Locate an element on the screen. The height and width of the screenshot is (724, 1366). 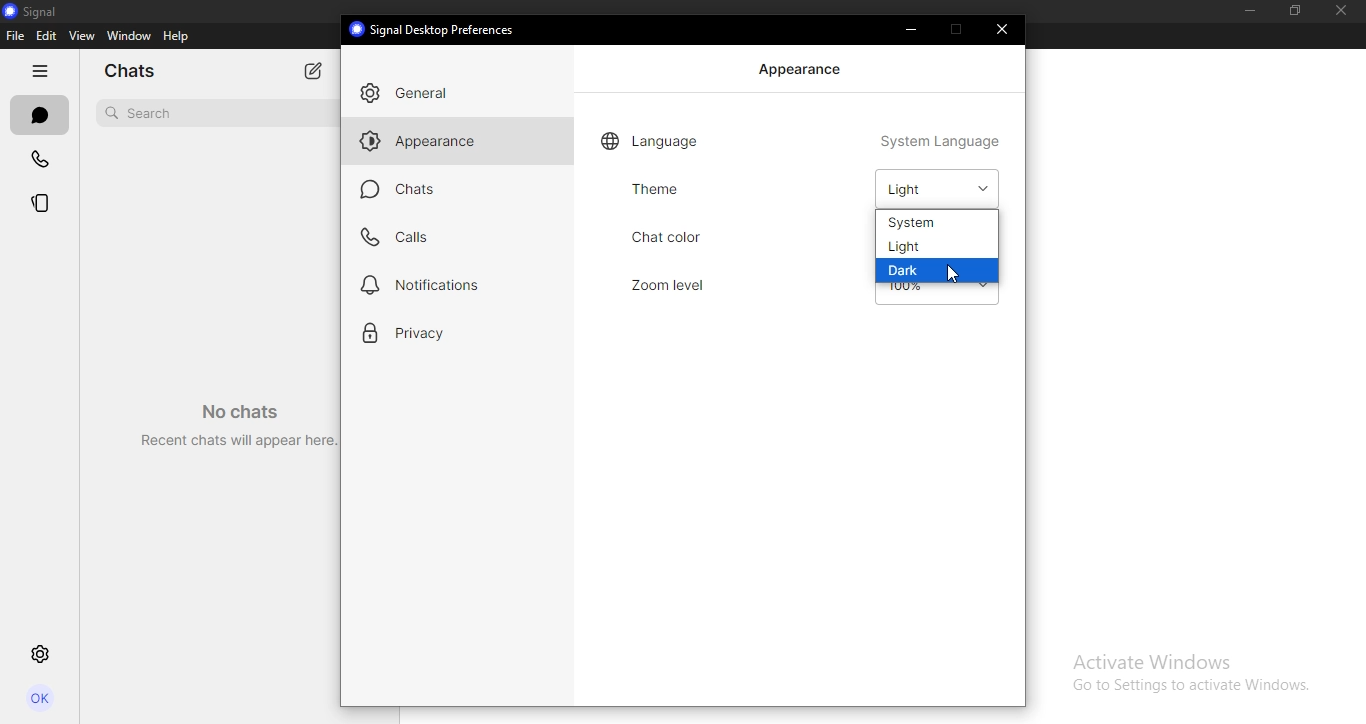
search is located at coordinates (142, 111).